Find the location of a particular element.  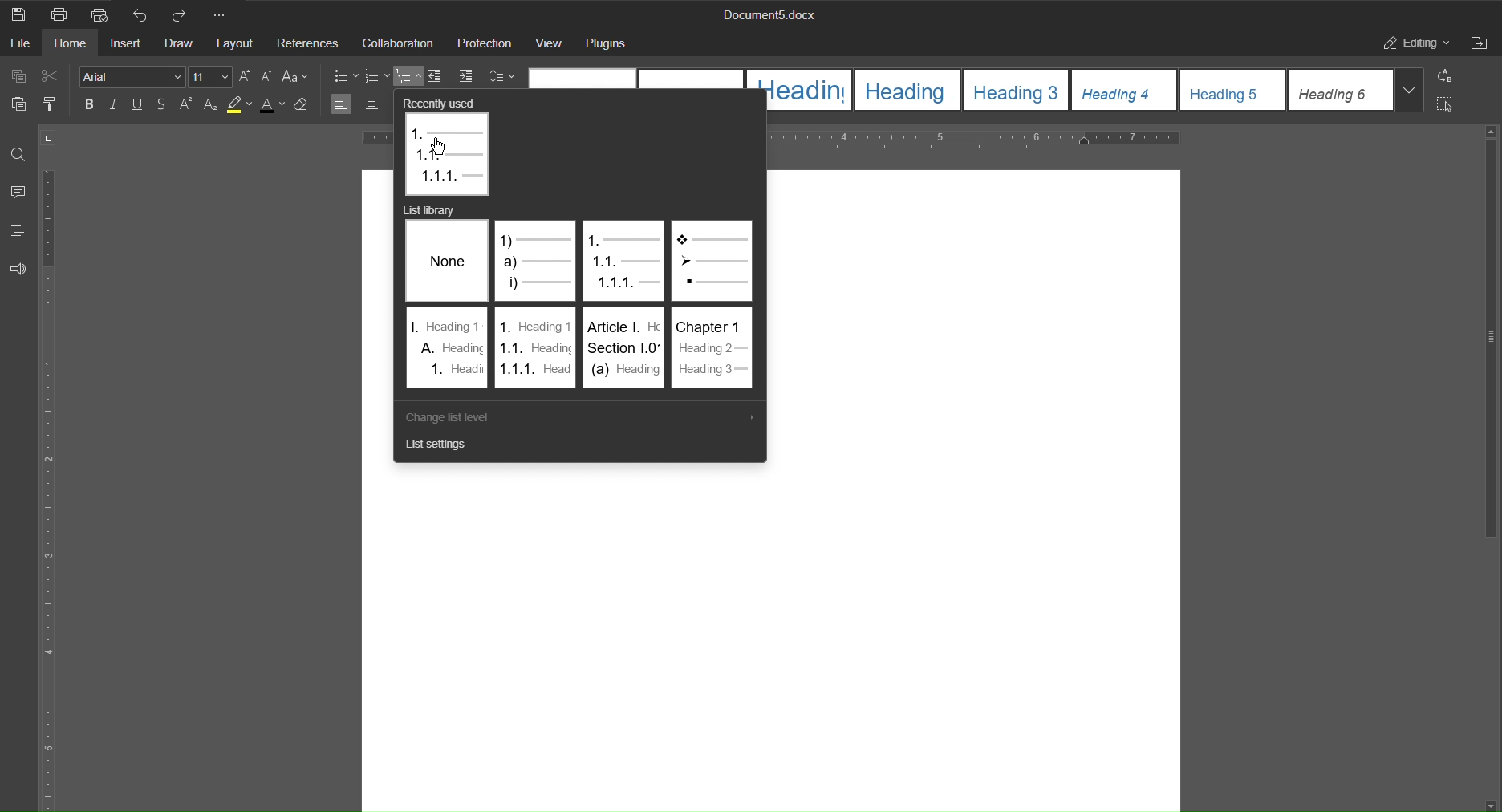

Document5.docx is located at coordinates (765, 15).